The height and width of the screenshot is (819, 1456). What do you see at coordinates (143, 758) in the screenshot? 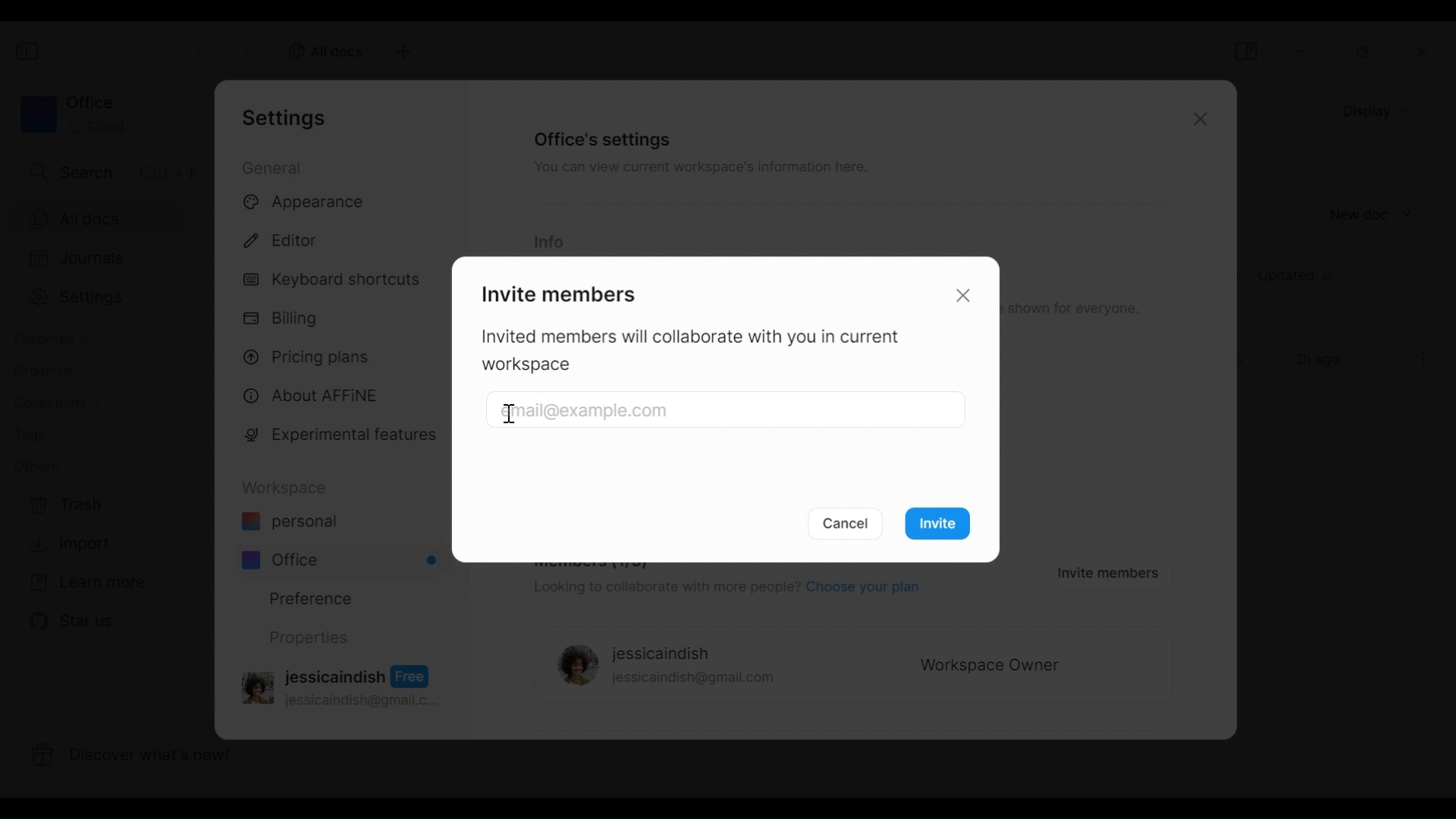
I see `Discover what's new` at bounding box center [143, 758].